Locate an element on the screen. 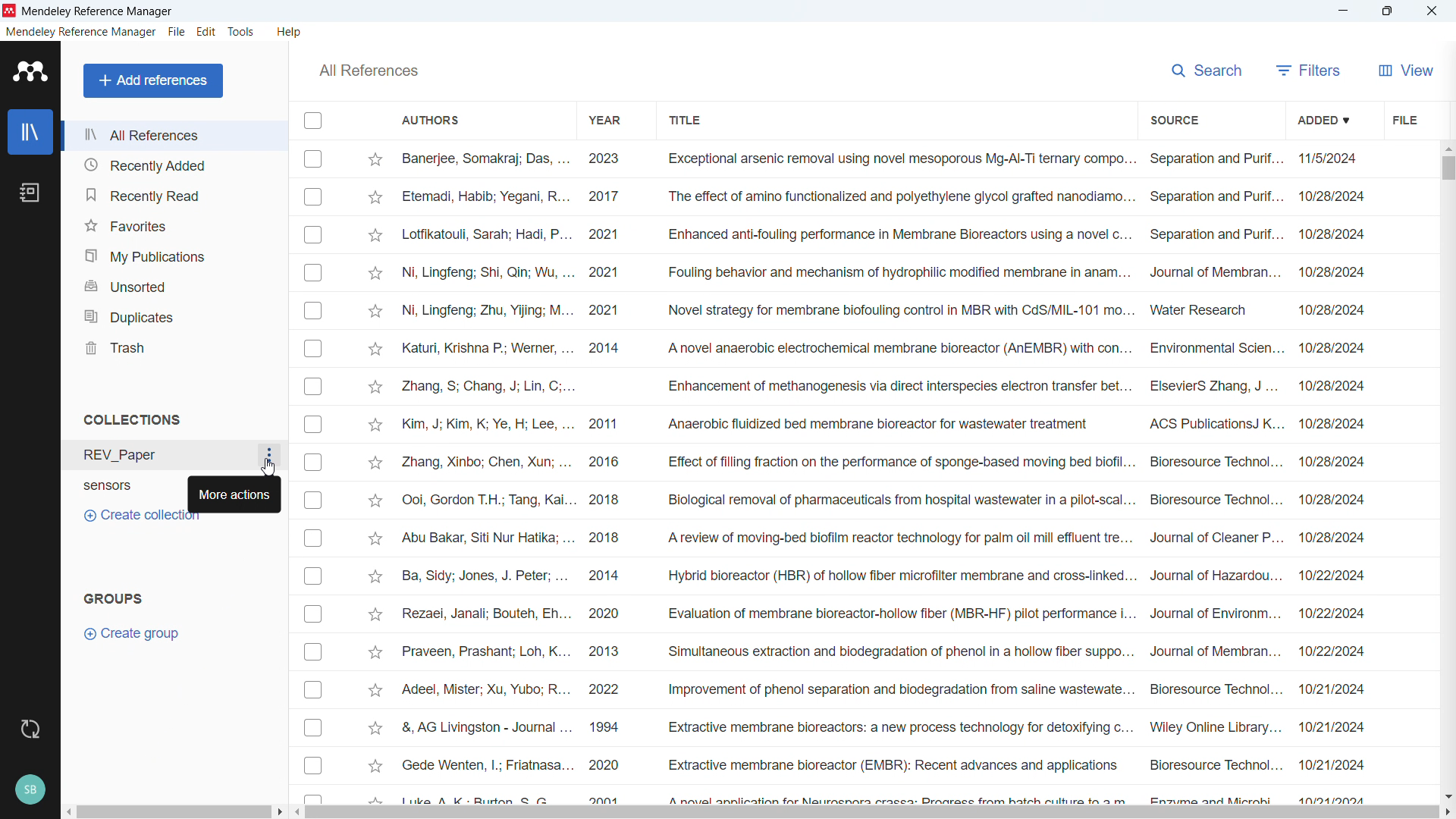  Select respective publication is located at coordinates (312, 727).